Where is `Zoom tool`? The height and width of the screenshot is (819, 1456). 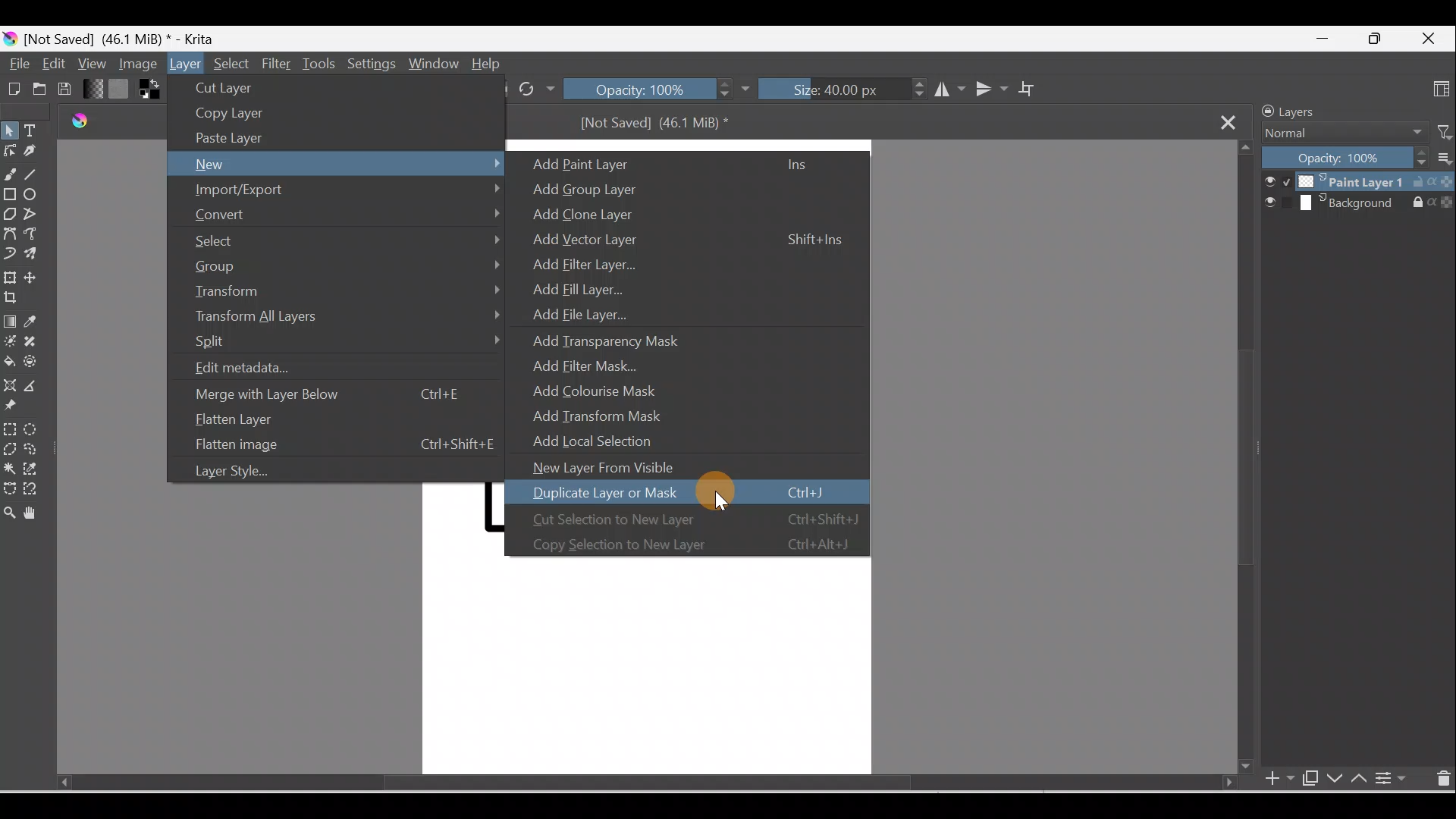
Zoom tool is located at coordinates (9, 515).